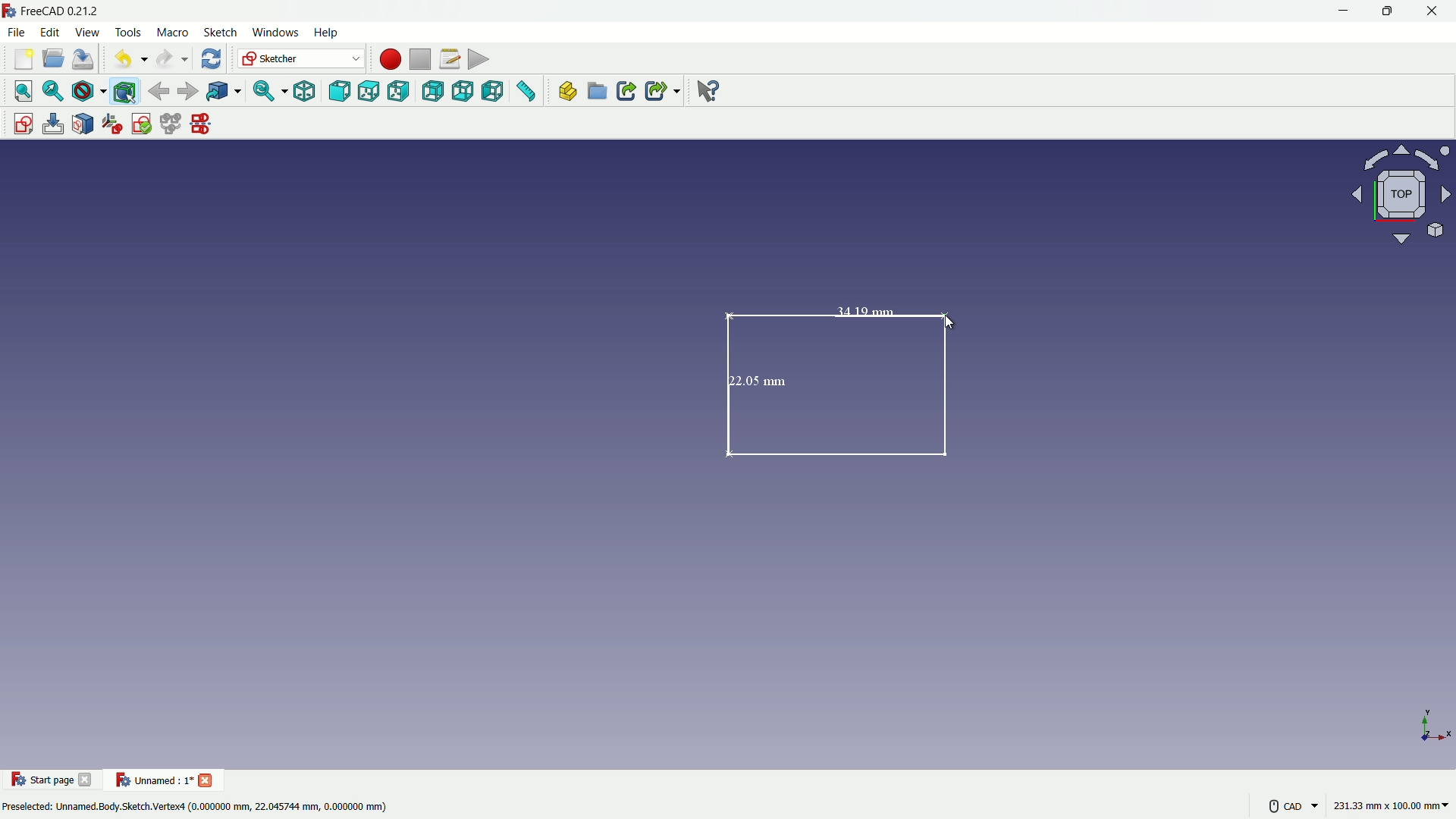  Describe the element at coordinates (72, 11) in the screenshot. I see `FreeCAD 0212` at that location.